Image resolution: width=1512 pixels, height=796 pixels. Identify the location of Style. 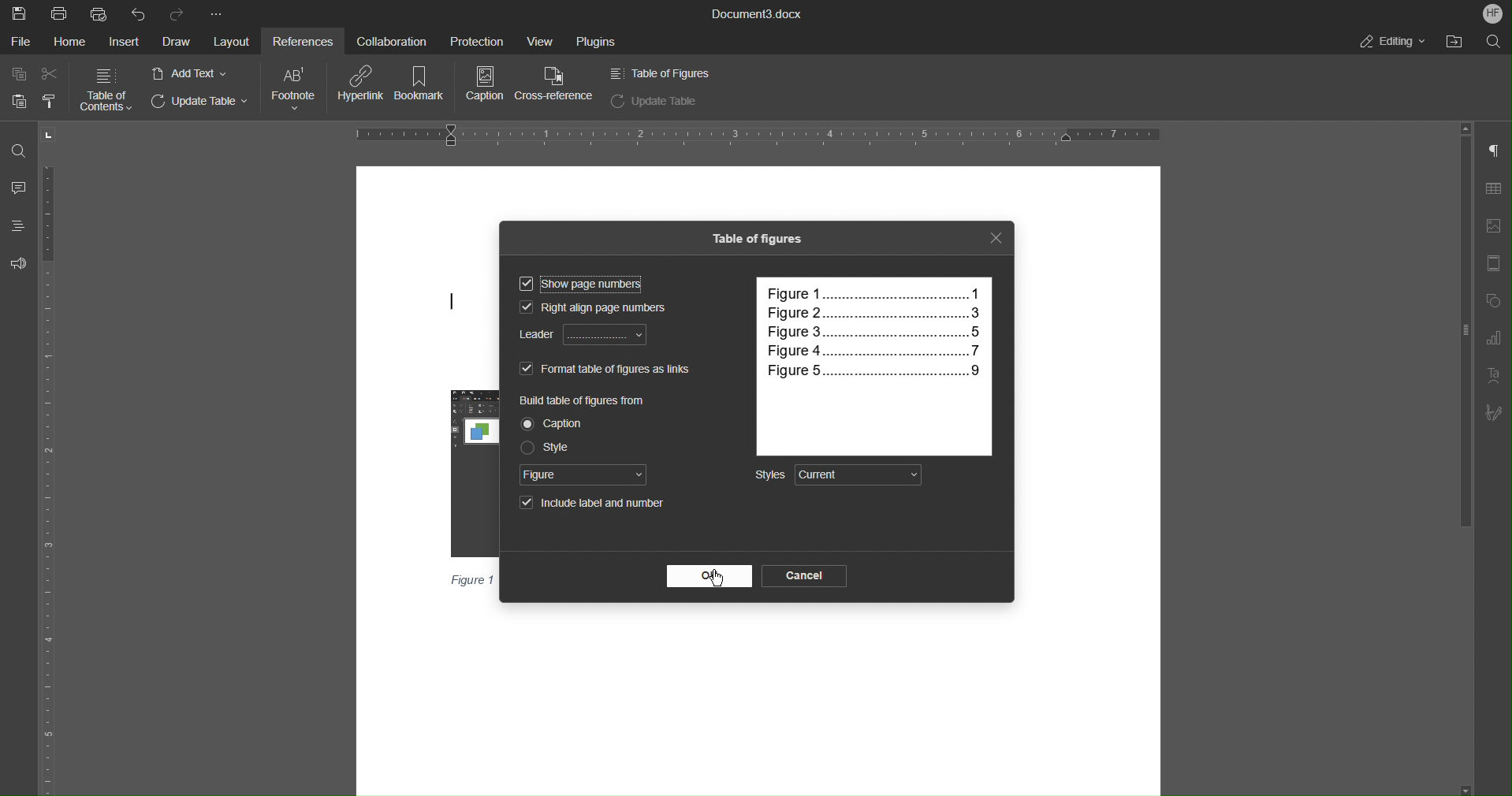
(838, 476).